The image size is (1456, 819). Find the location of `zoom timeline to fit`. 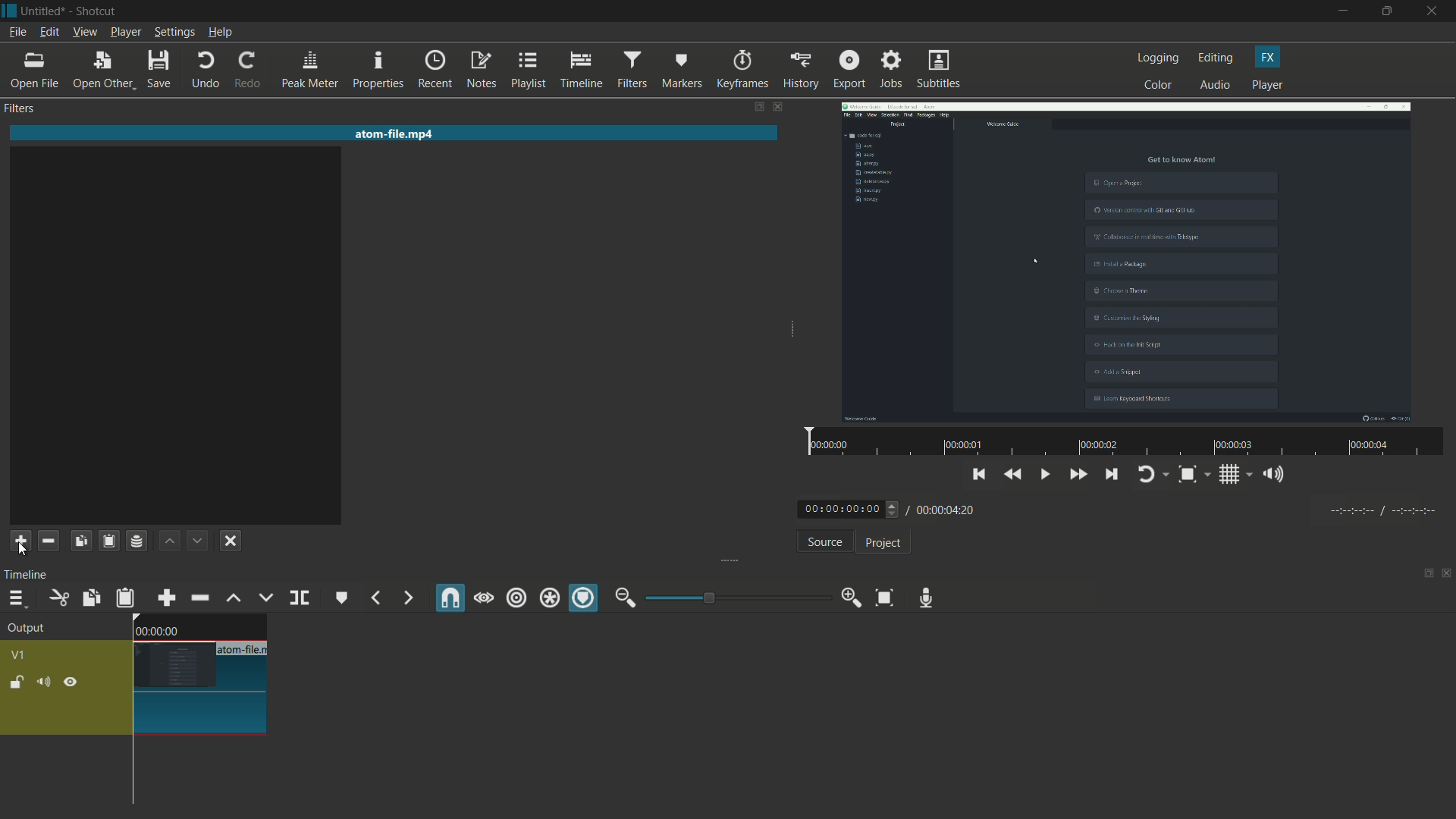

zoom timeline to fit is located at coordinates (884, 597).